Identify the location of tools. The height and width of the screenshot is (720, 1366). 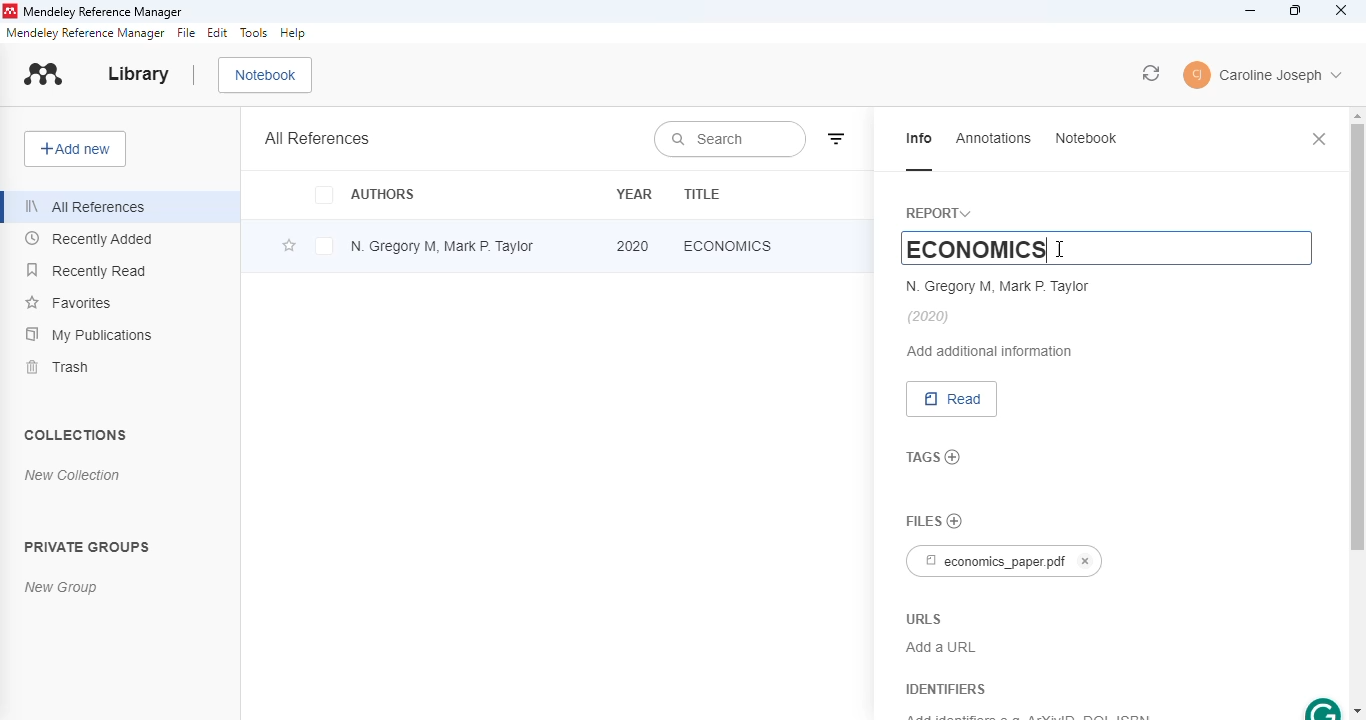
(254, 32).